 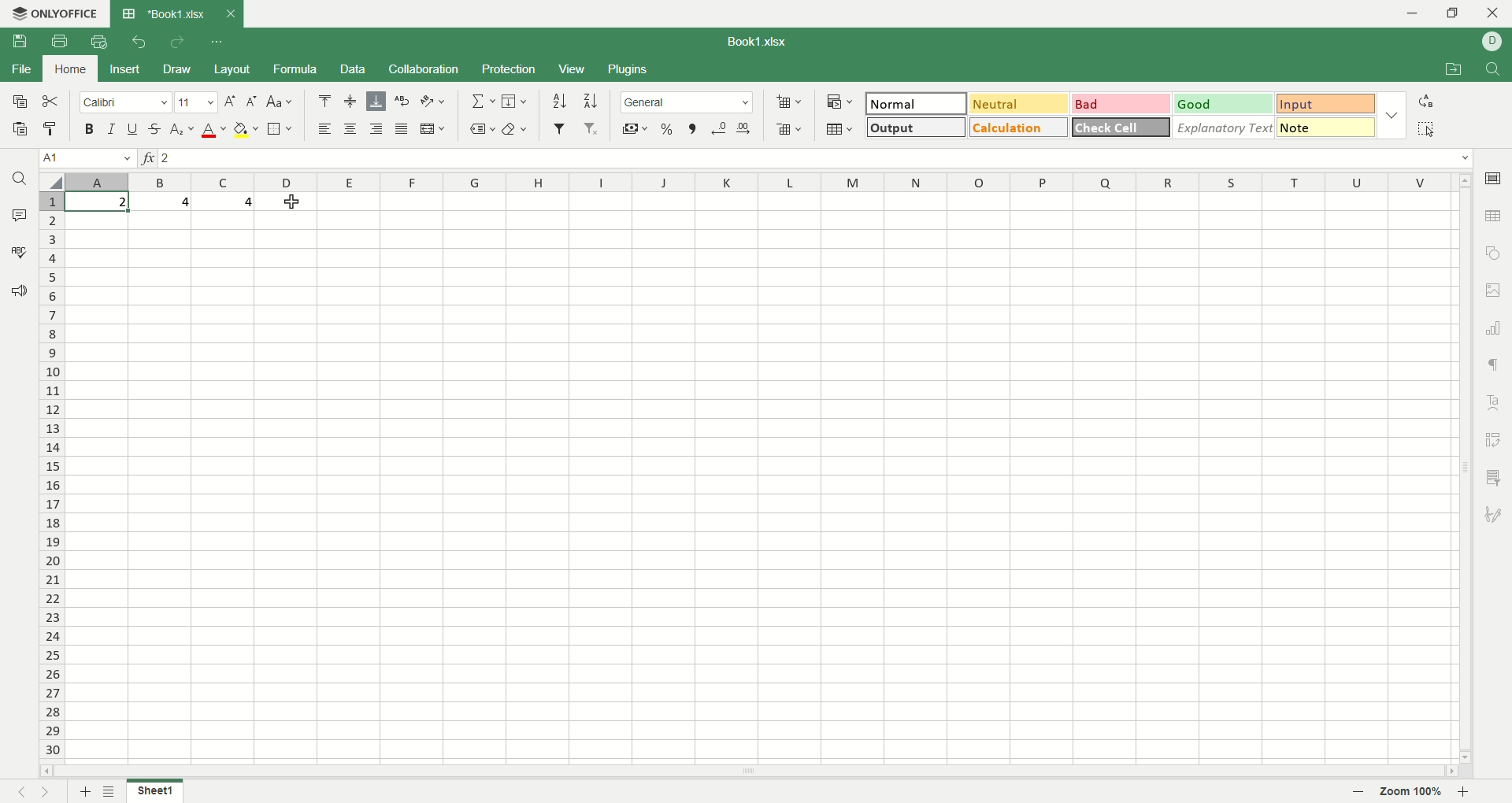 I want to click on plugins, so click(x=627, y=69).